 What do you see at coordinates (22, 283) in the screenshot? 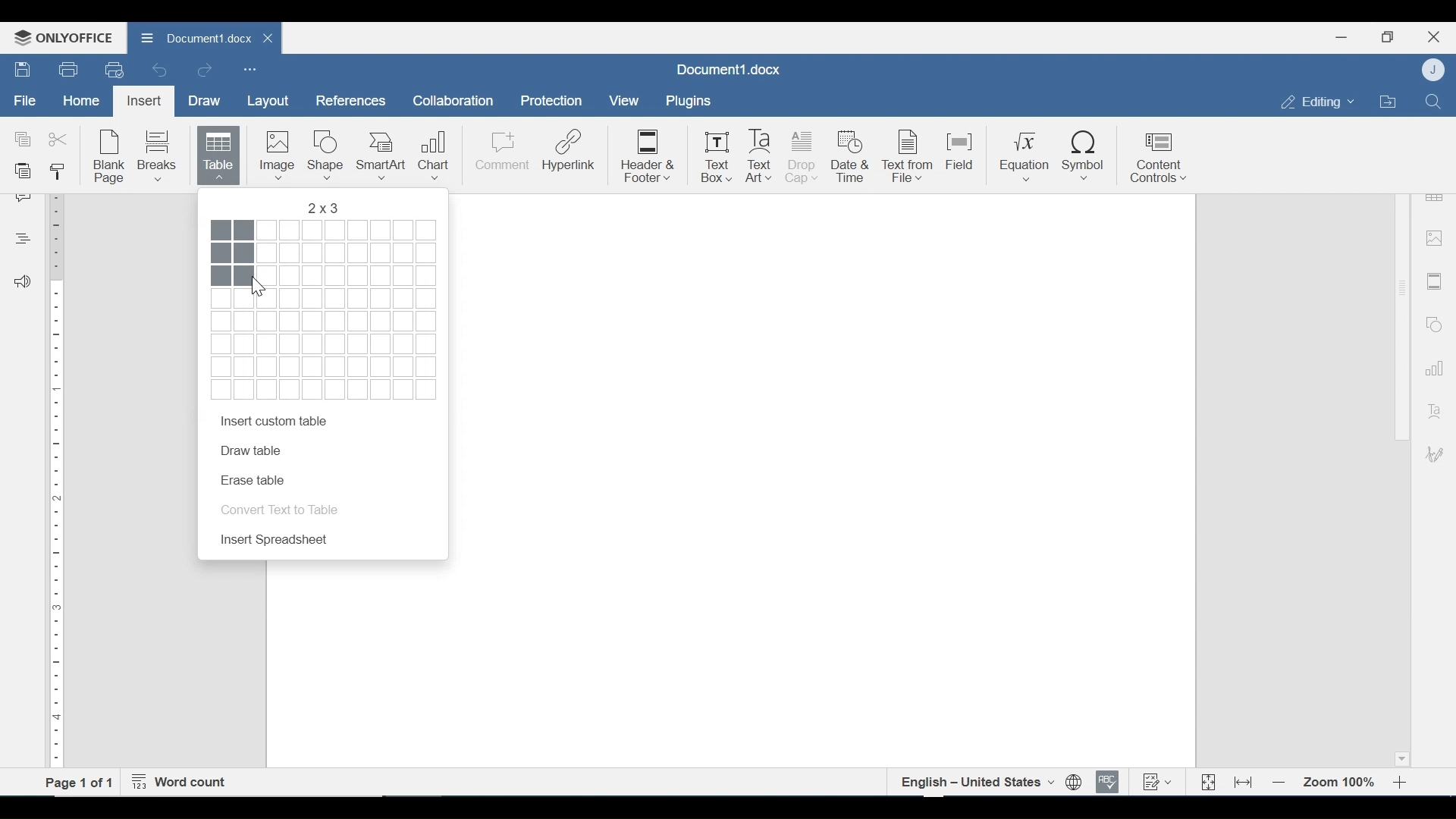
I see `Feedback and Support` at bounding box center [22, 283].